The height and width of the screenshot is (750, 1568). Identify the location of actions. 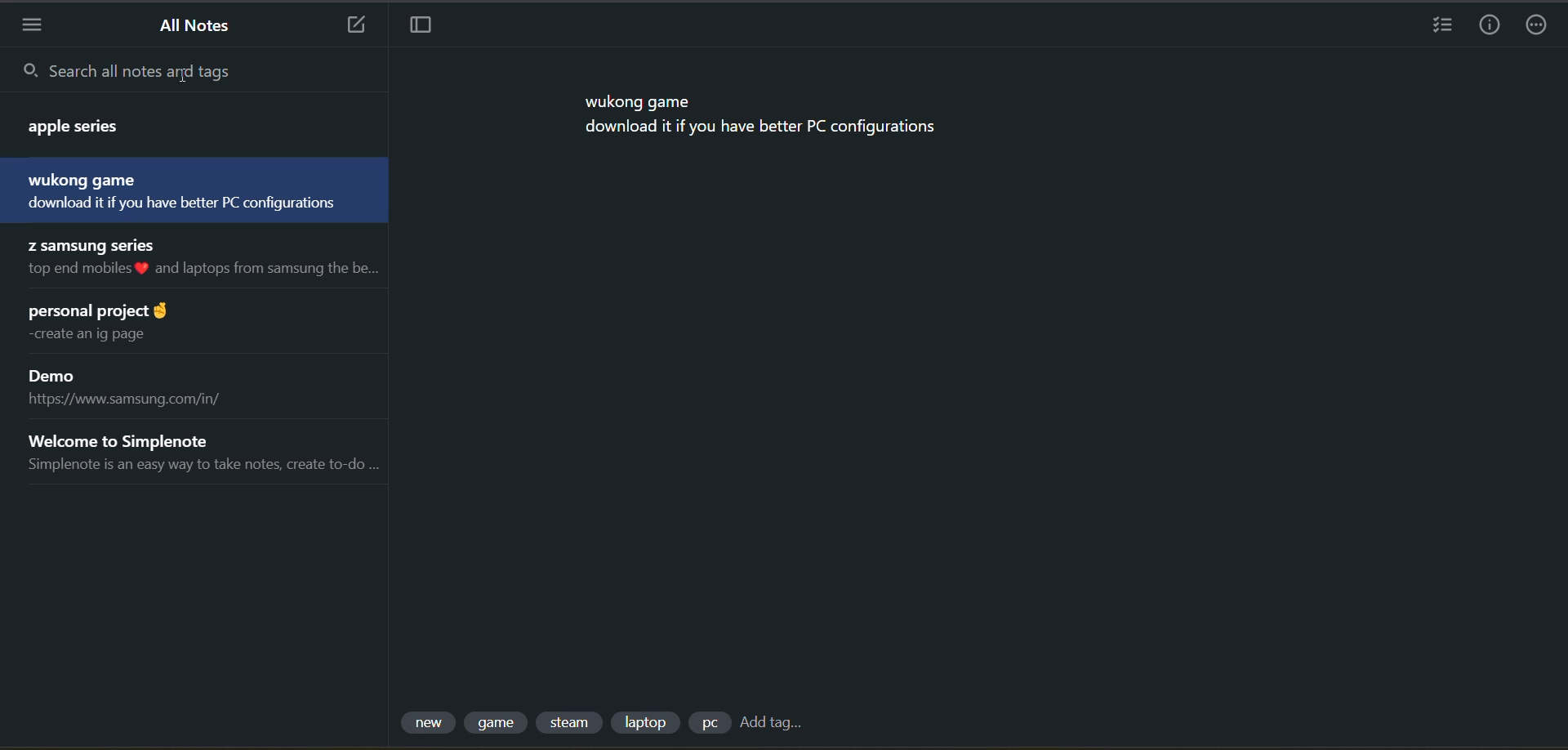
(1539, 26).